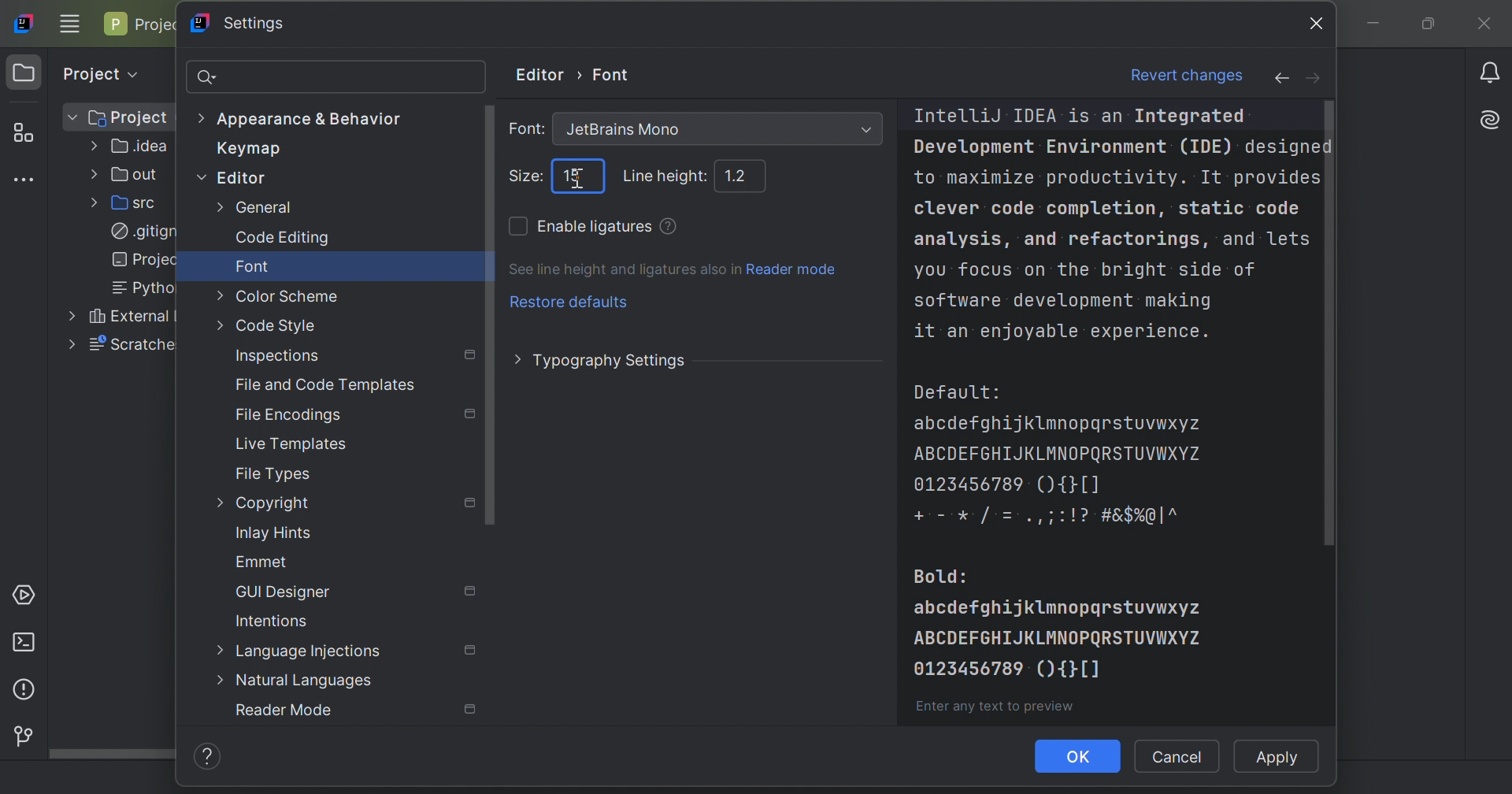 This screenshot has width=1512, height=794. Describe the element at coordinates (1029, 609) in the screenshot. I see `icons` at that location.